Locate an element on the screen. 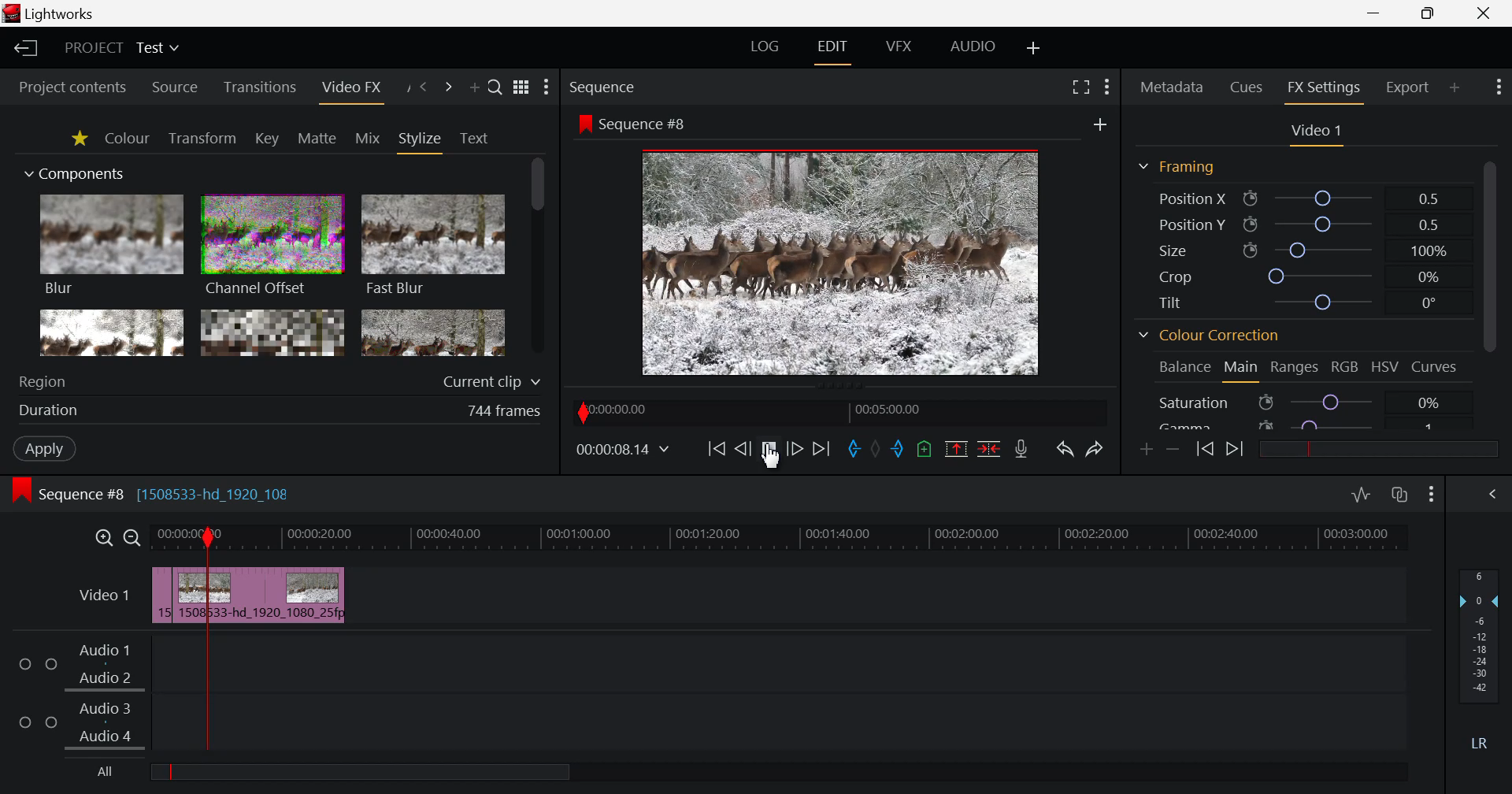  AUDIO Layout is located at coordinates (973, 46).